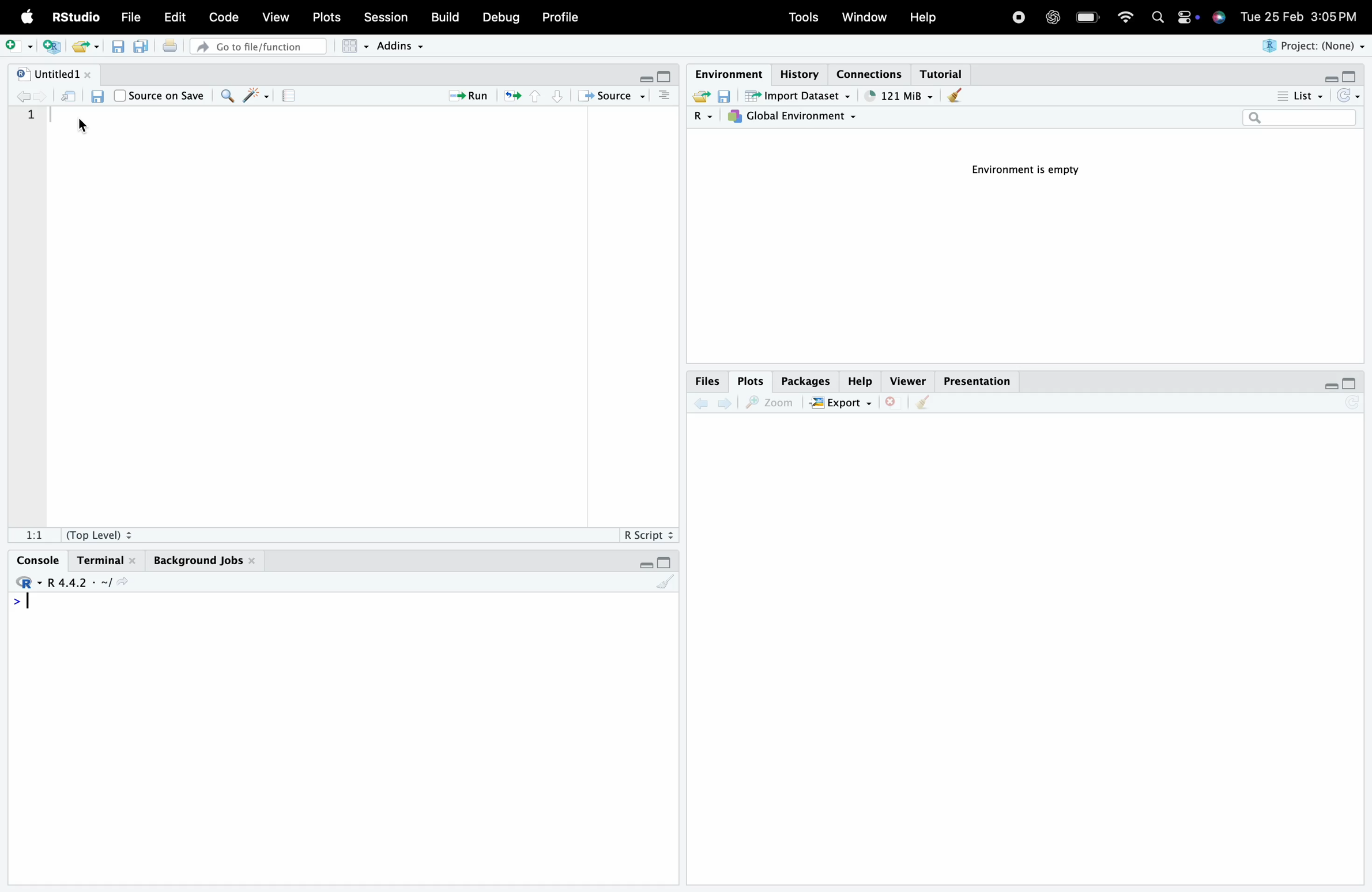  What do you see at coordinates (609, 96) in the screenshot?
I see `Source the contents of the active document` at bounding box center [609, 96].